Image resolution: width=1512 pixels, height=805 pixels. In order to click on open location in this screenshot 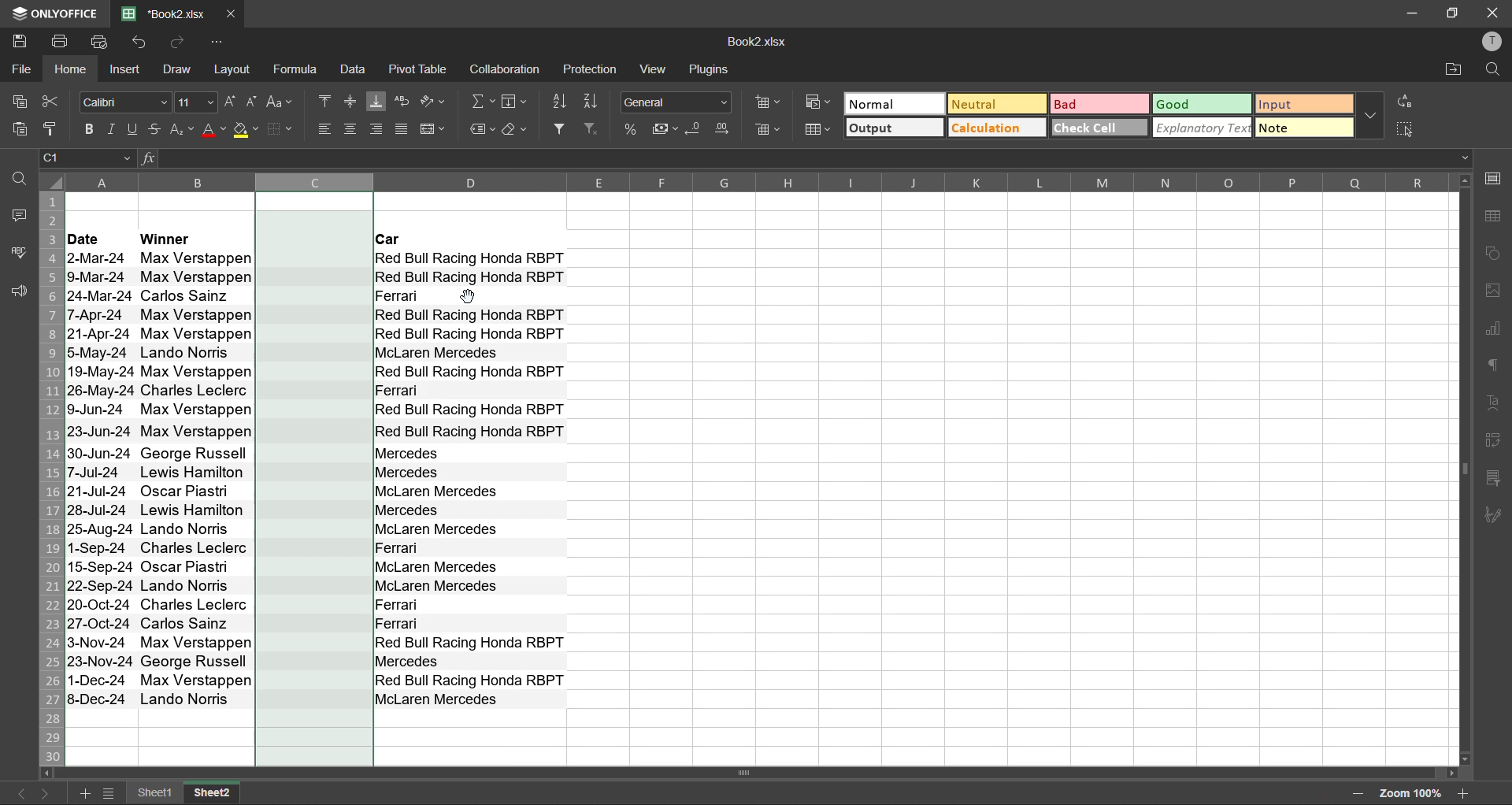, I will do `click(1448, 72)`.